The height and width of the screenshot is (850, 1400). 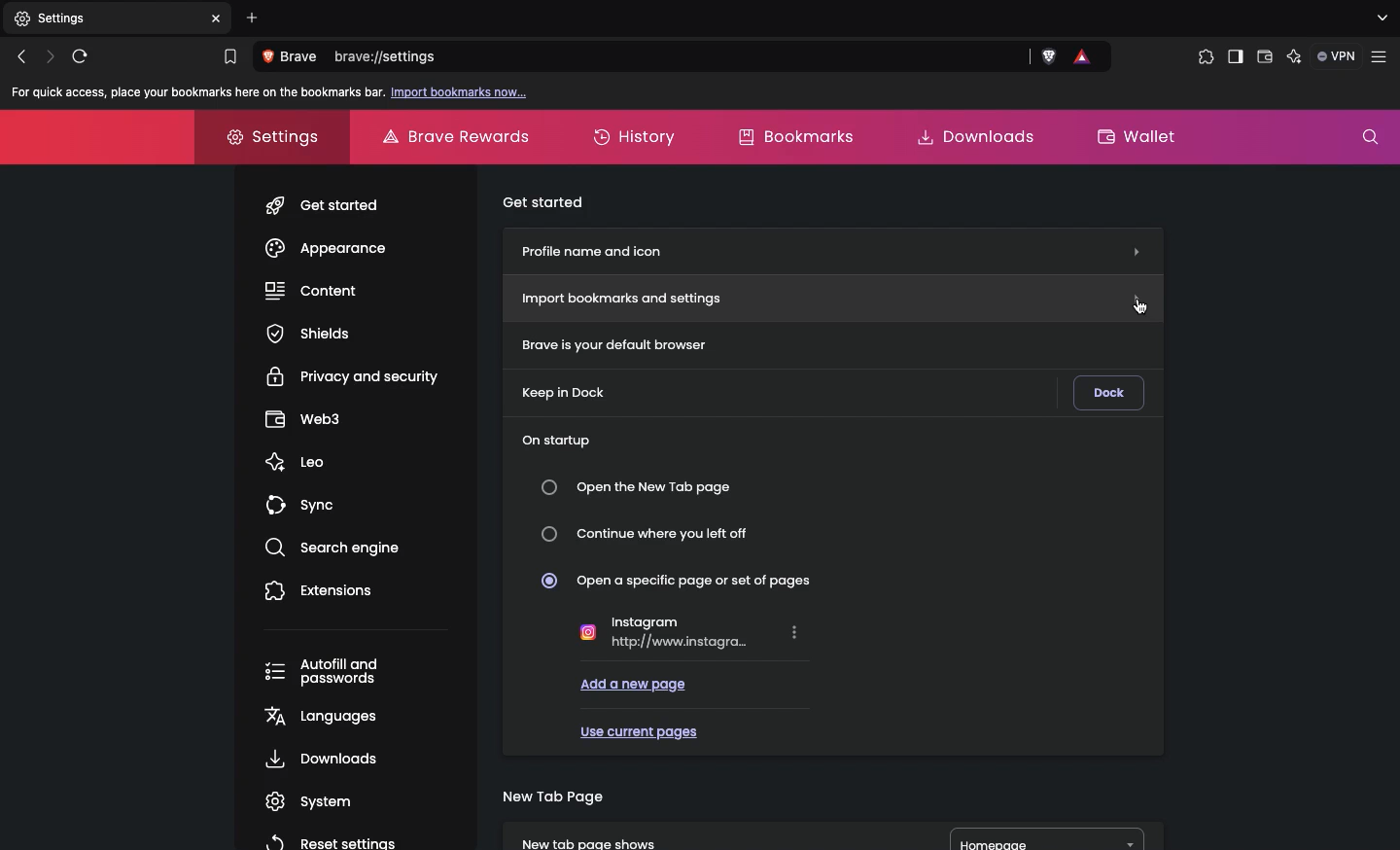 What do you see at coordinates (326, 248) in the screenshot?
I see `Appearance` at bounding box center [326, 248].